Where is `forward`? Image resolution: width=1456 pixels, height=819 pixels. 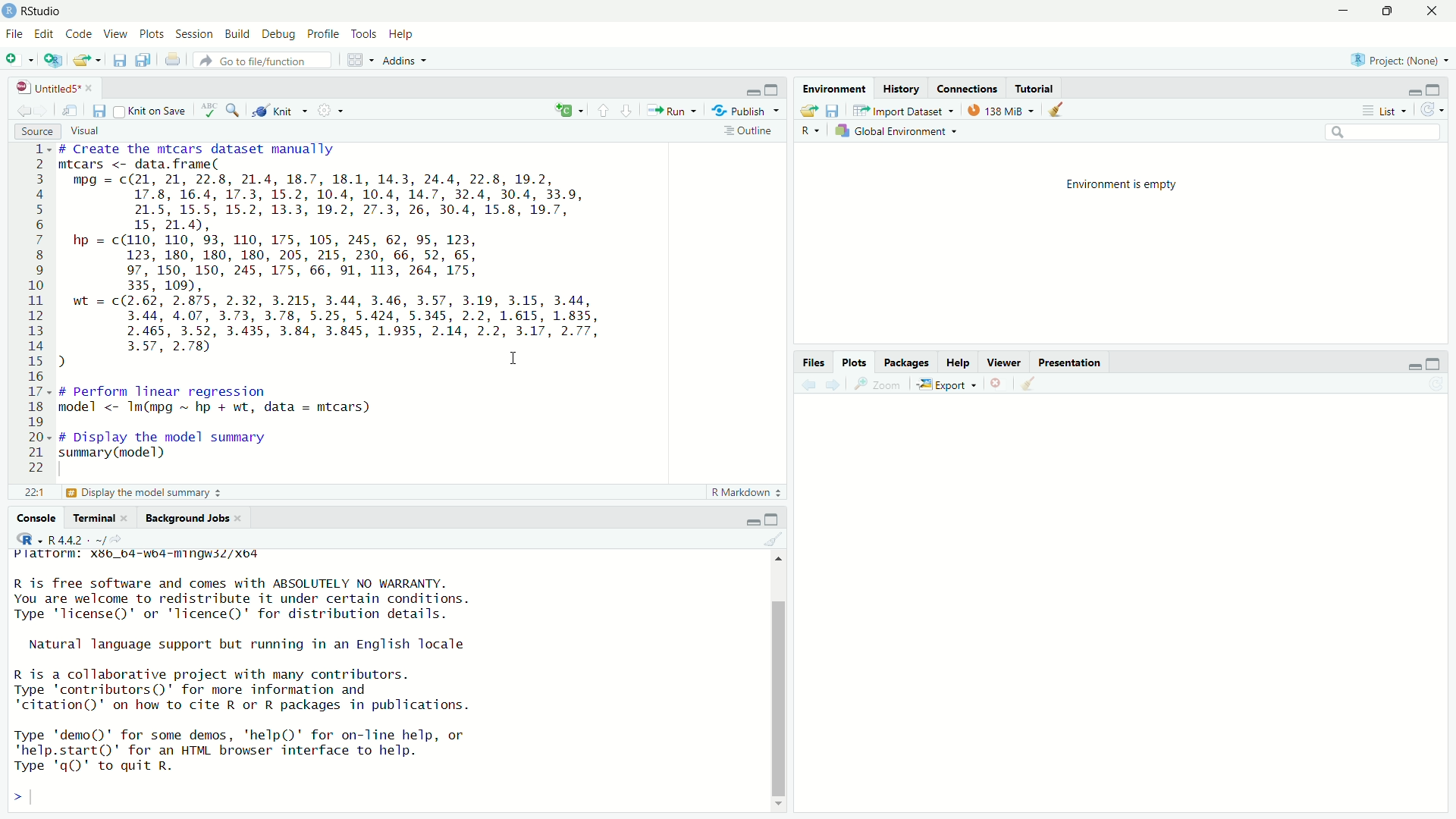
forward is located at coordinates (836, 385).